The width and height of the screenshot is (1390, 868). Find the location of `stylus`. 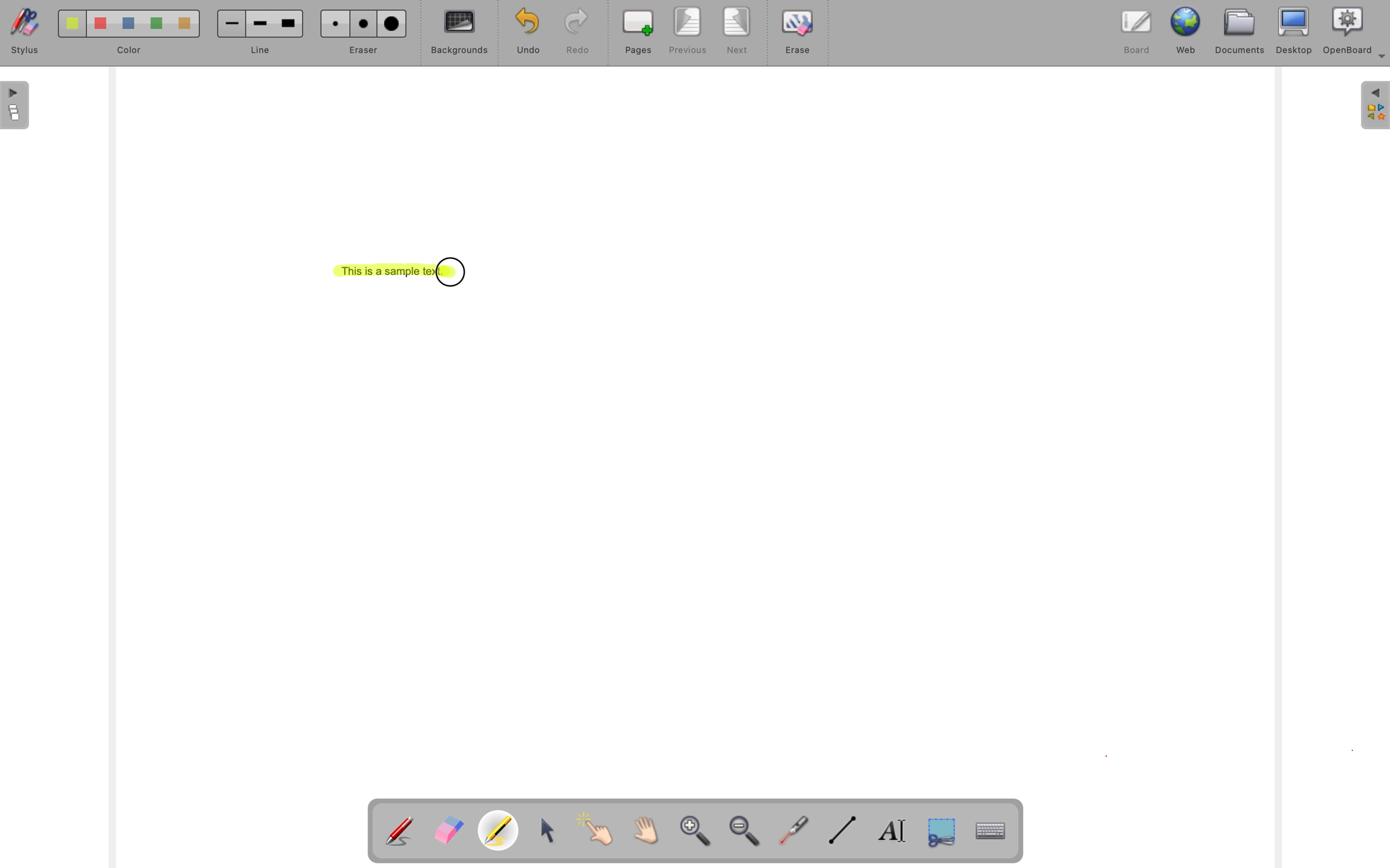

stylus is located at coordinates (25, 32).